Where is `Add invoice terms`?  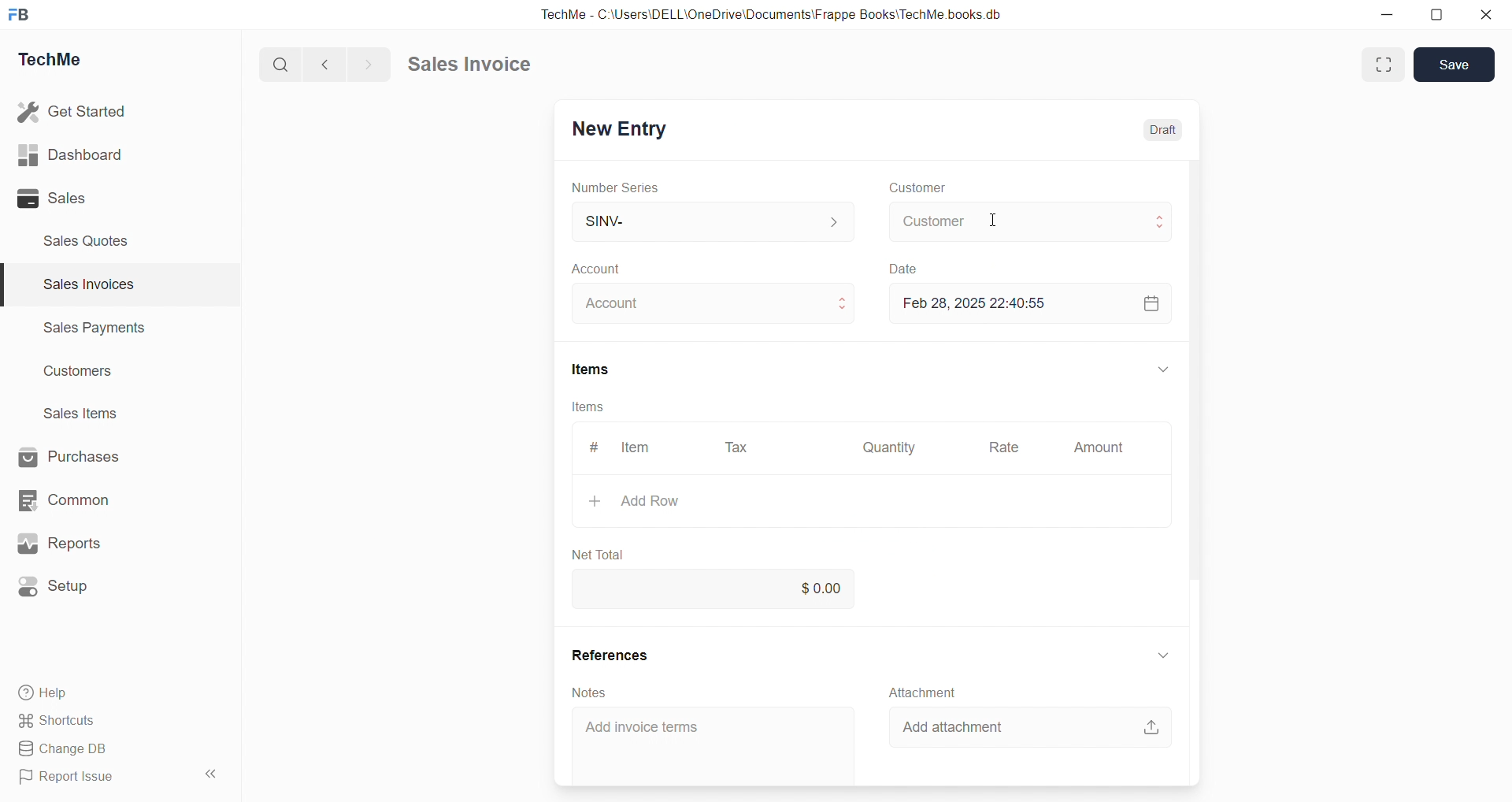
Add invoice terms is located at coordinates (643, 727).